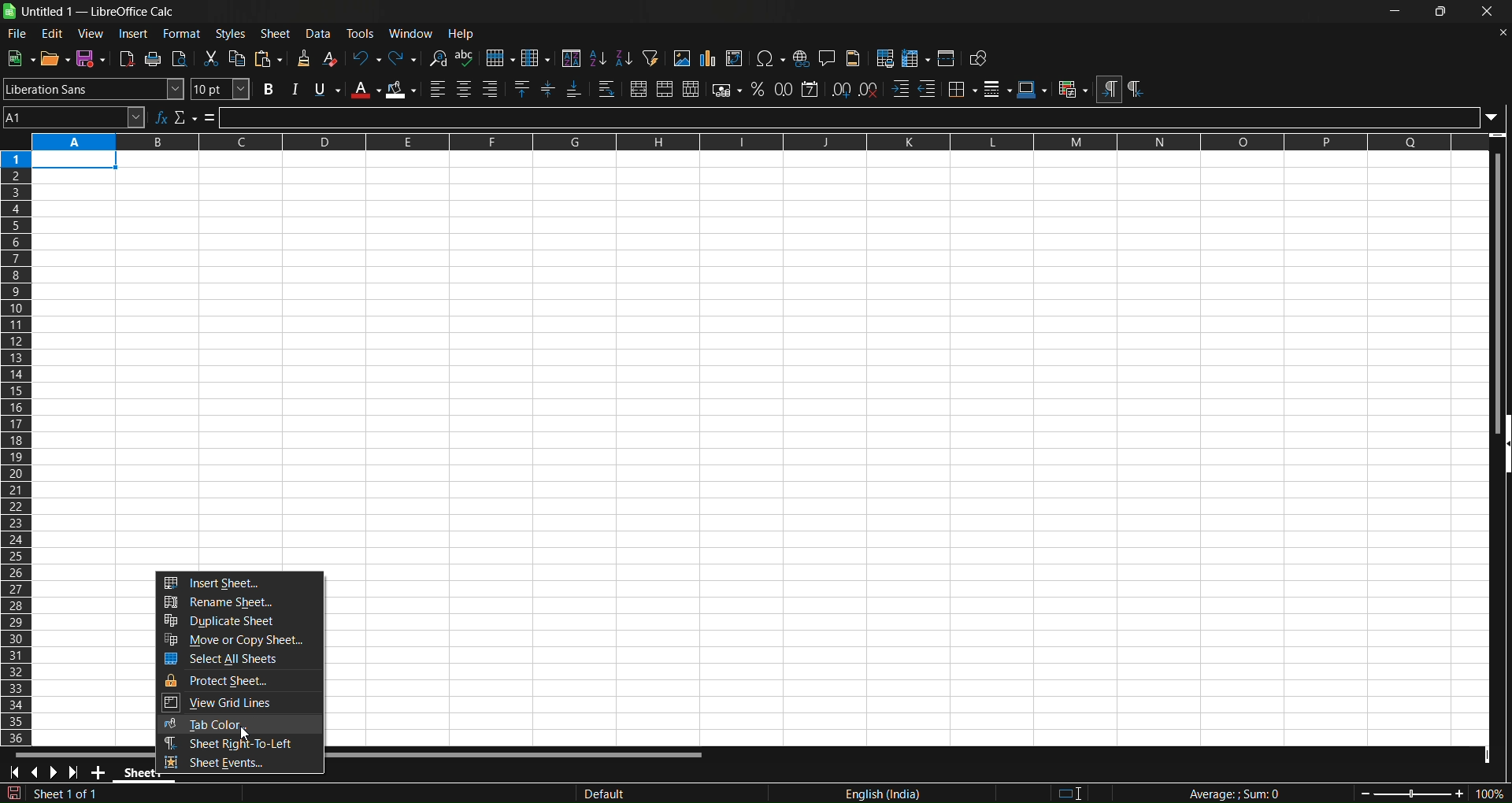 This screenshot has width=1512, height=803. I want to click on border styles, so click(998, 89).